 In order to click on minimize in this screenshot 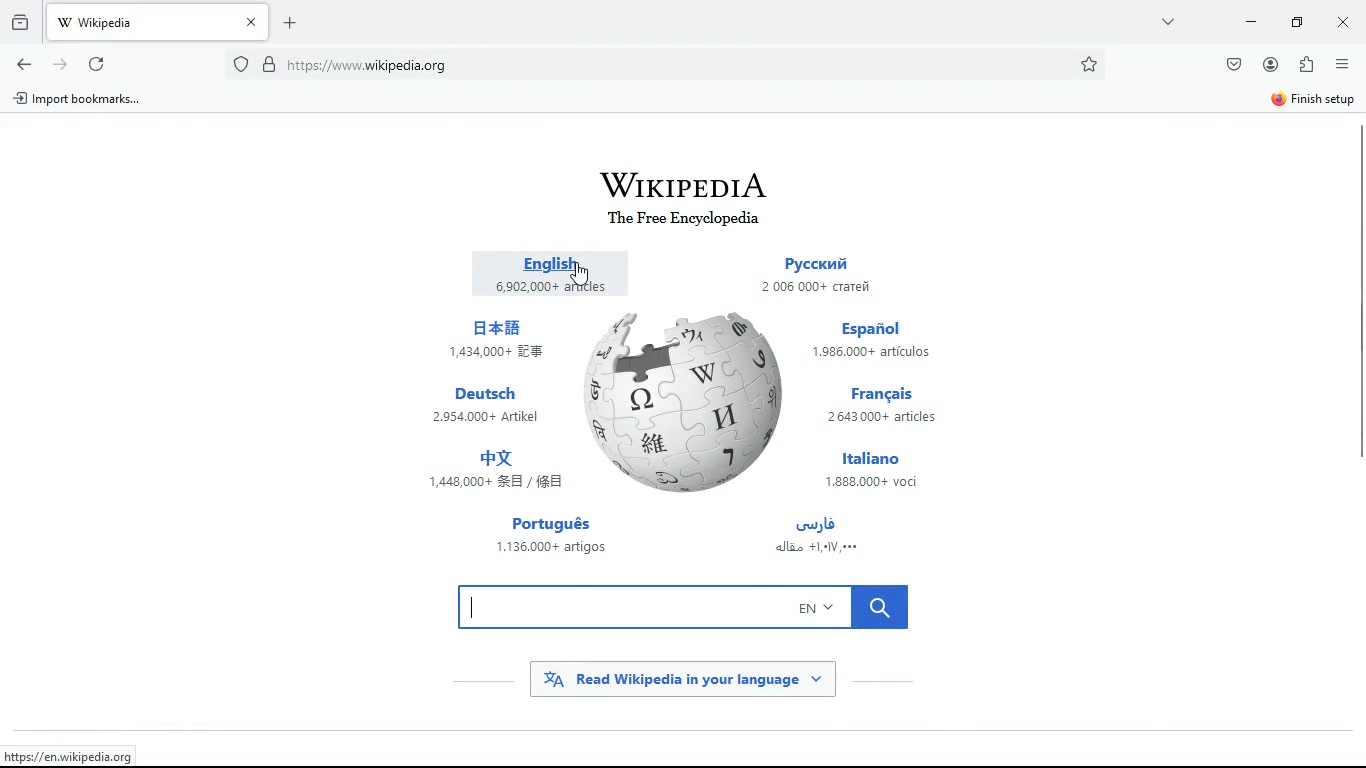, I will do `click(1247, 22)`.